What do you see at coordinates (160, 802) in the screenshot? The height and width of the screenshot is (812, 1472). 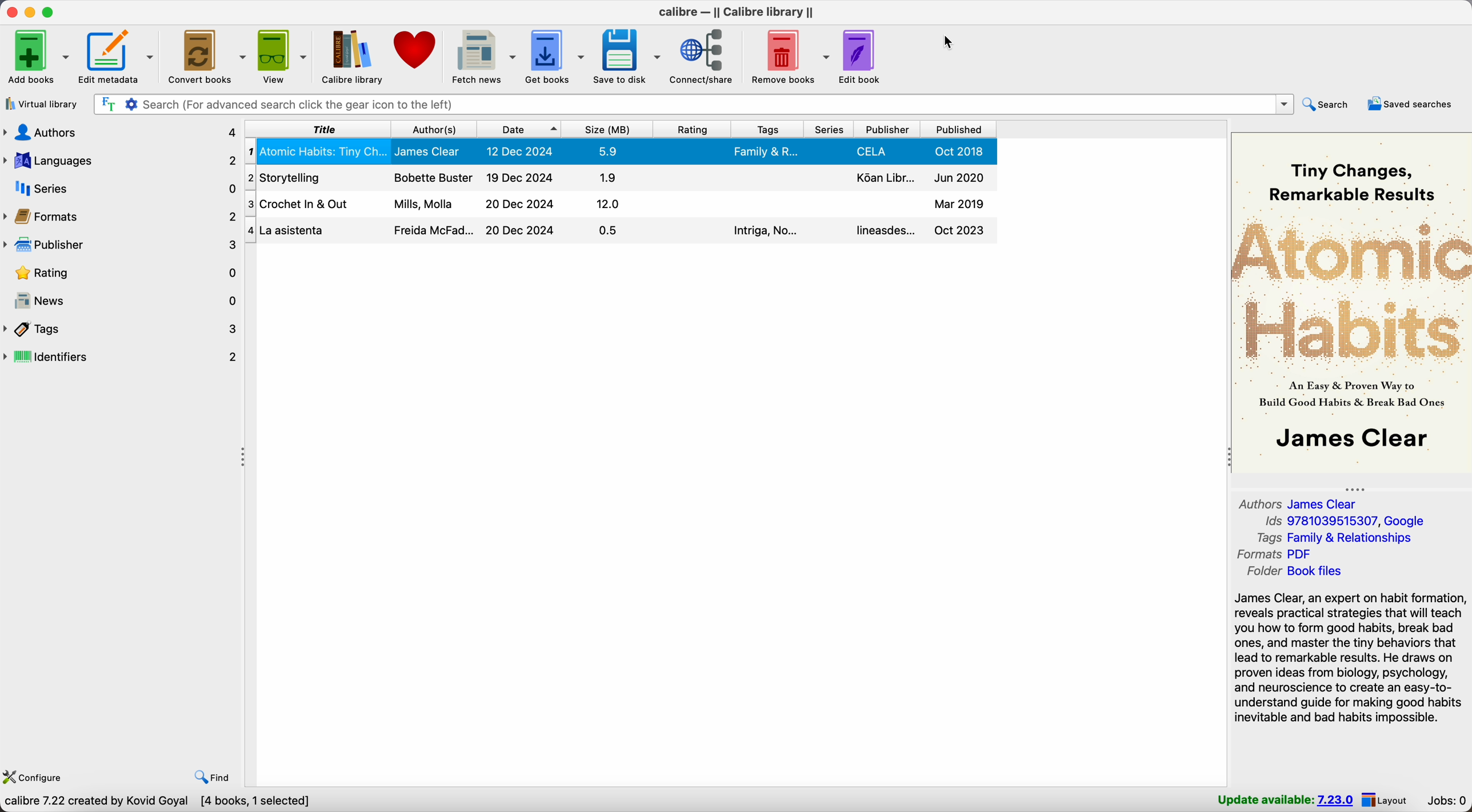 I see `Calibre 7.22 created by Kovid Goyal [4 books, 1 selected]` at bounding box center [160, 802].